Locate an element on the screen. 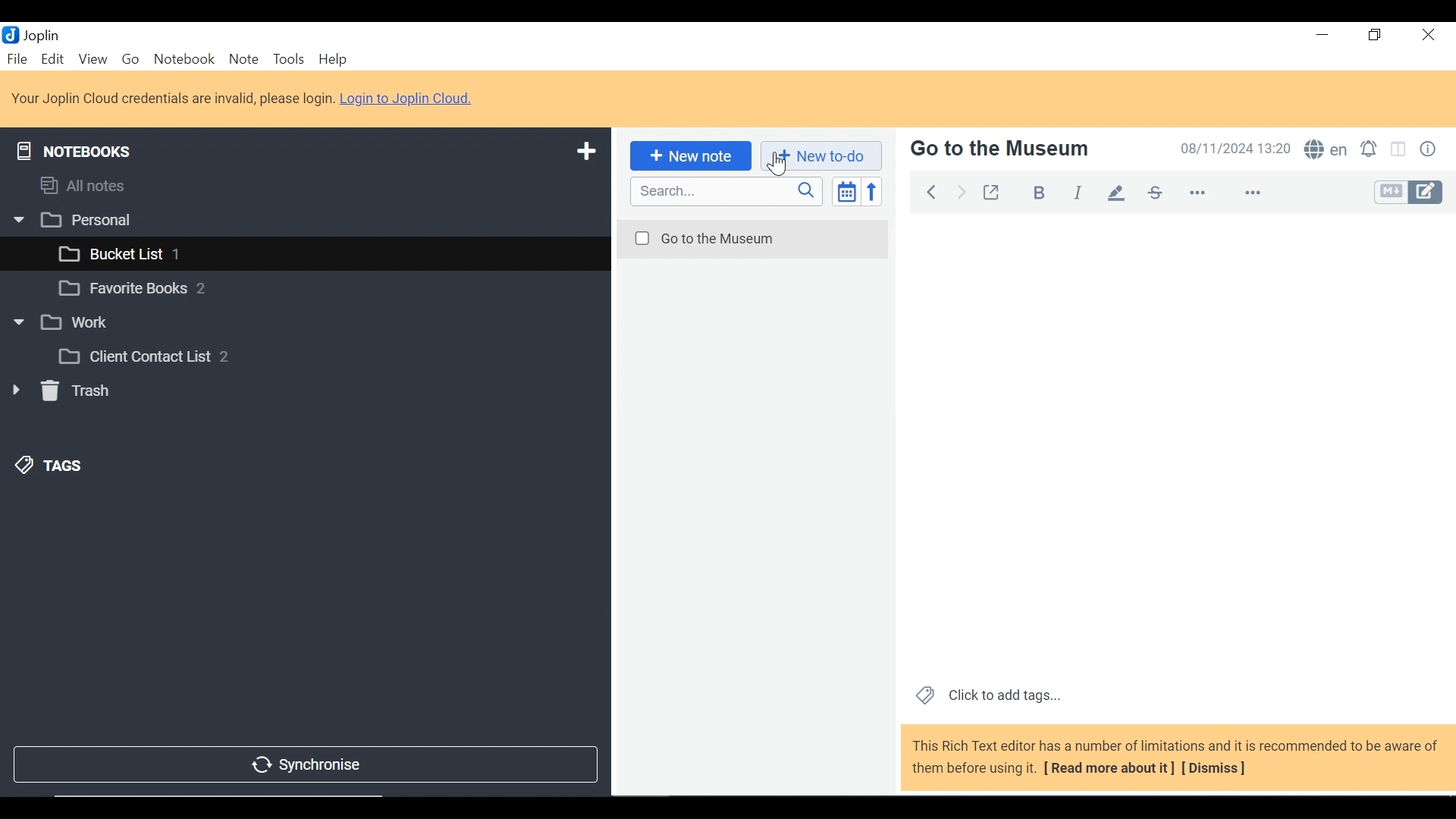  Go is located at coordinates (133, 61).